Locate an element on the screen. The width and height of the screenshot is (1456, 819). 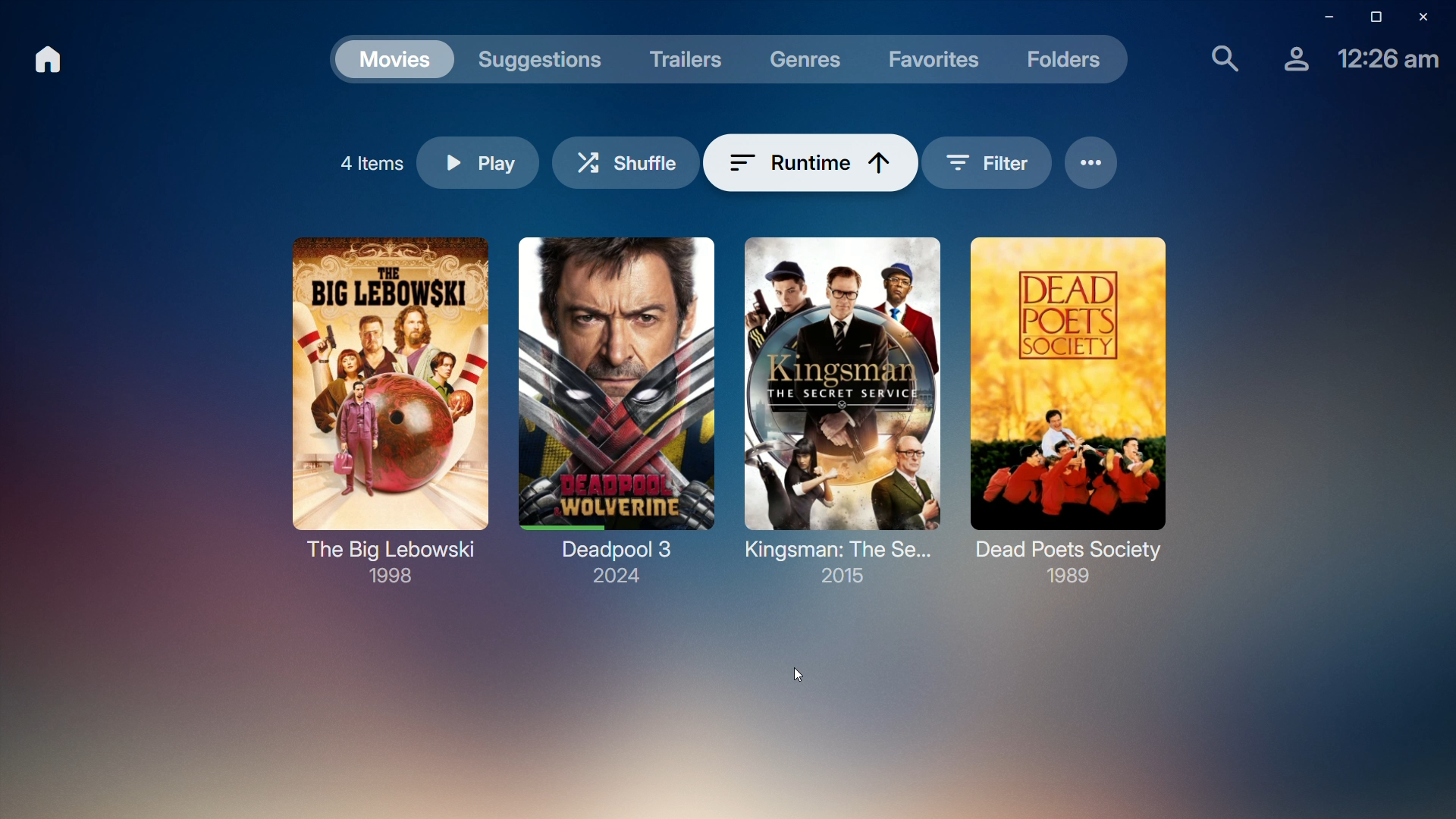
Folders is located at coordinates (1069, 64).